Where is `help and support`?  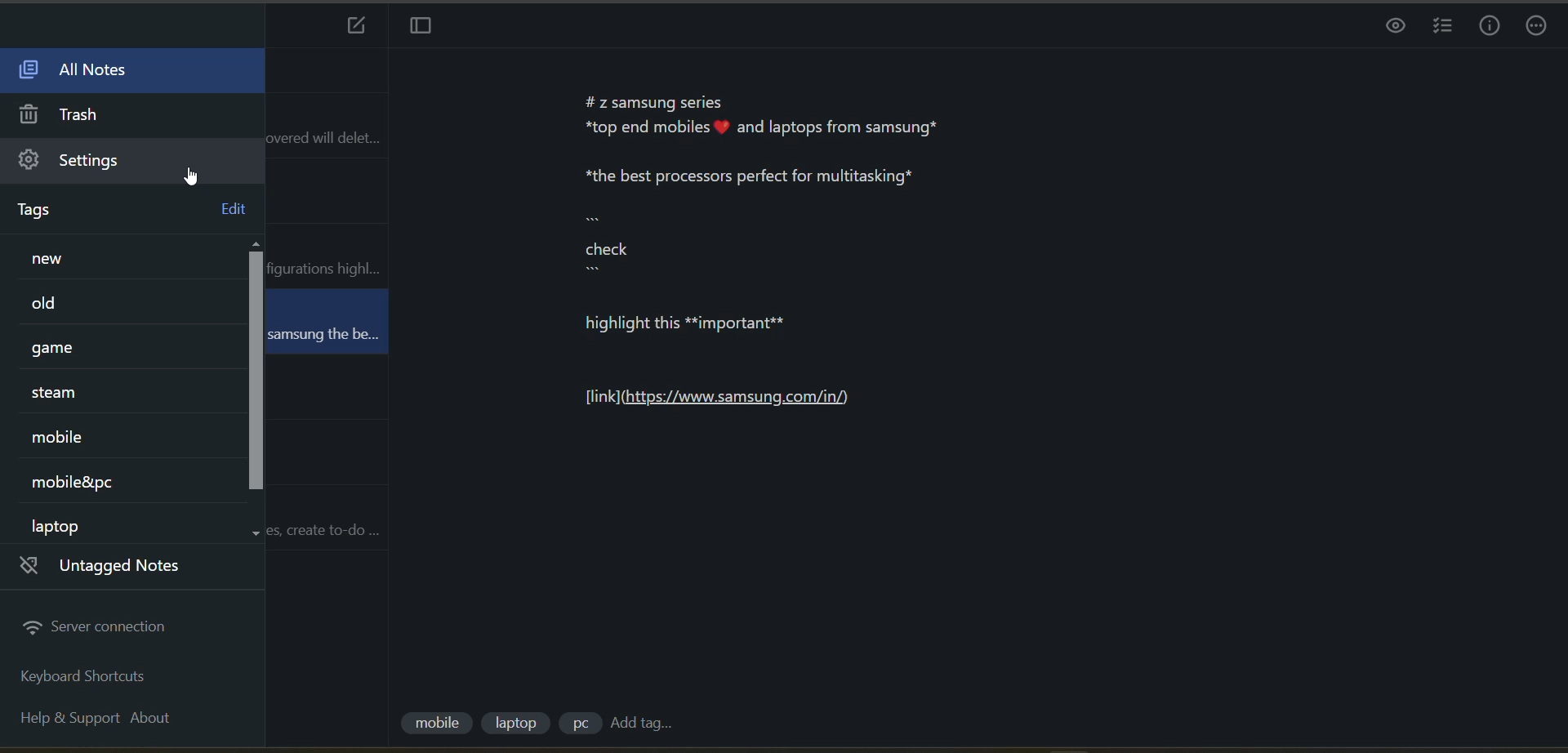
help and support is located at coordinates (62, 715).